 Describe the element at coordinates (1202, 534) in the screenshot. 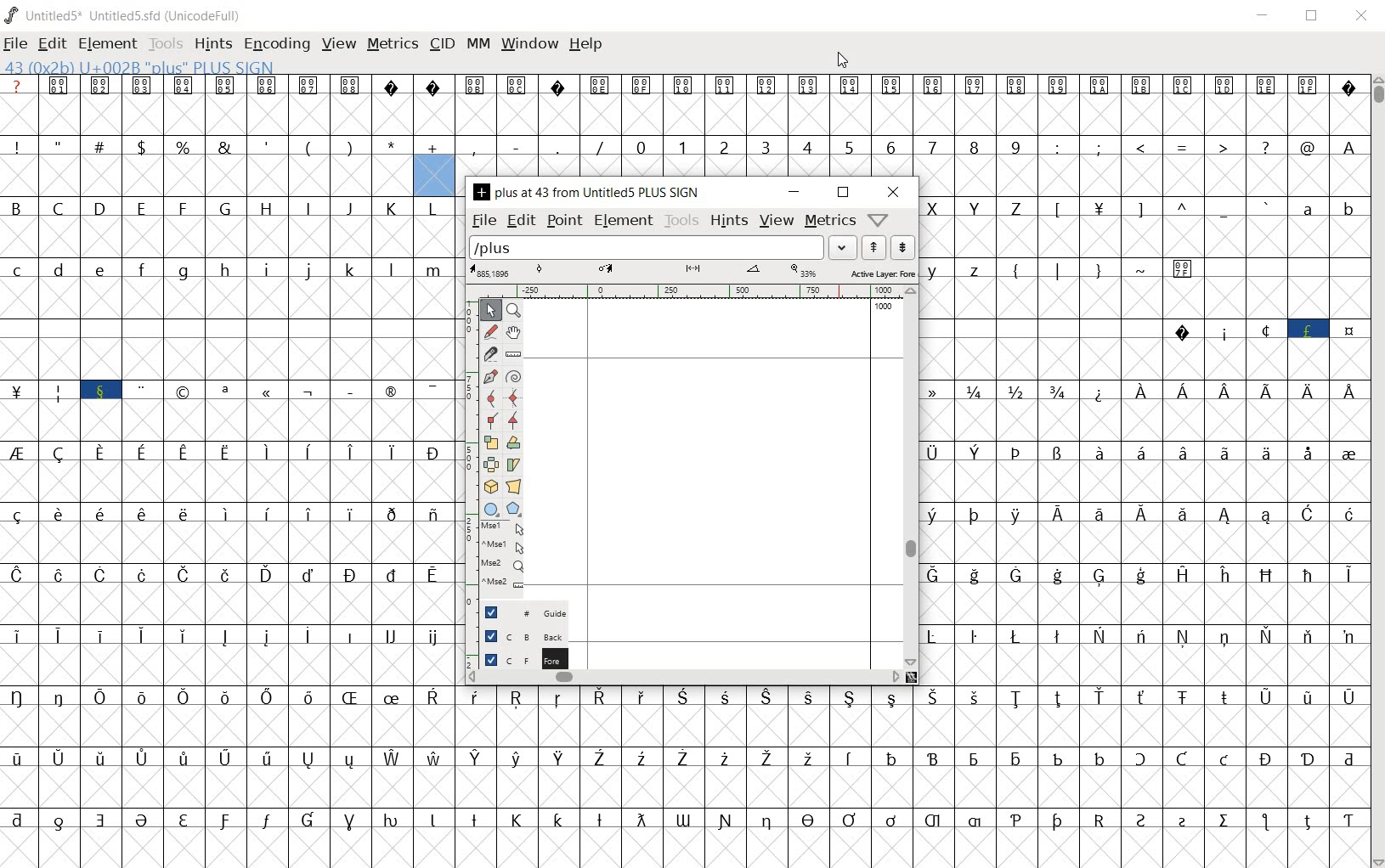

I see `Latin extended characters` at that location.